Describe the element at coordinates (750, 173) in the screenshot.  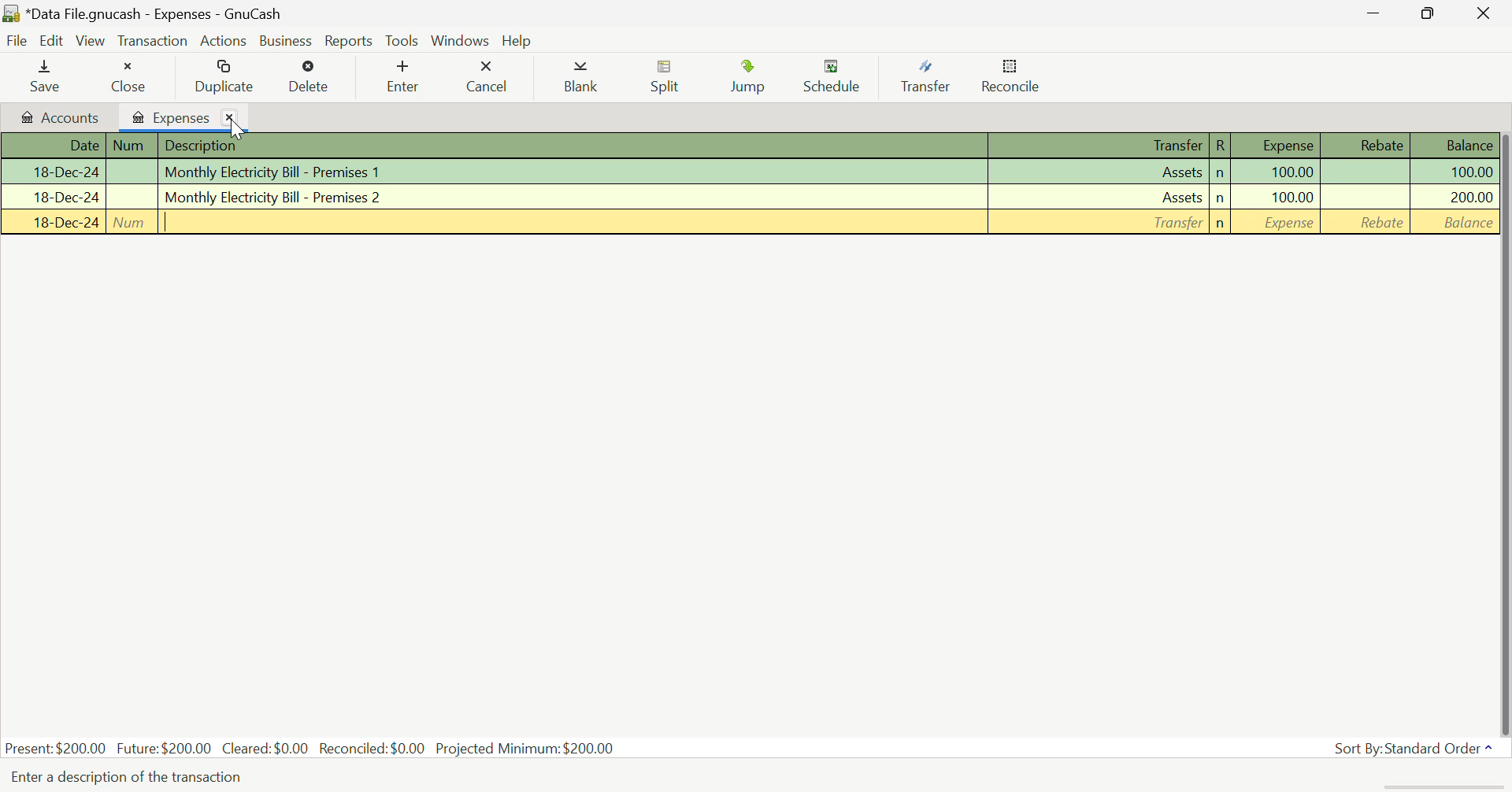
I see `Monthly Electricity Bill - Premises 1` at that location.